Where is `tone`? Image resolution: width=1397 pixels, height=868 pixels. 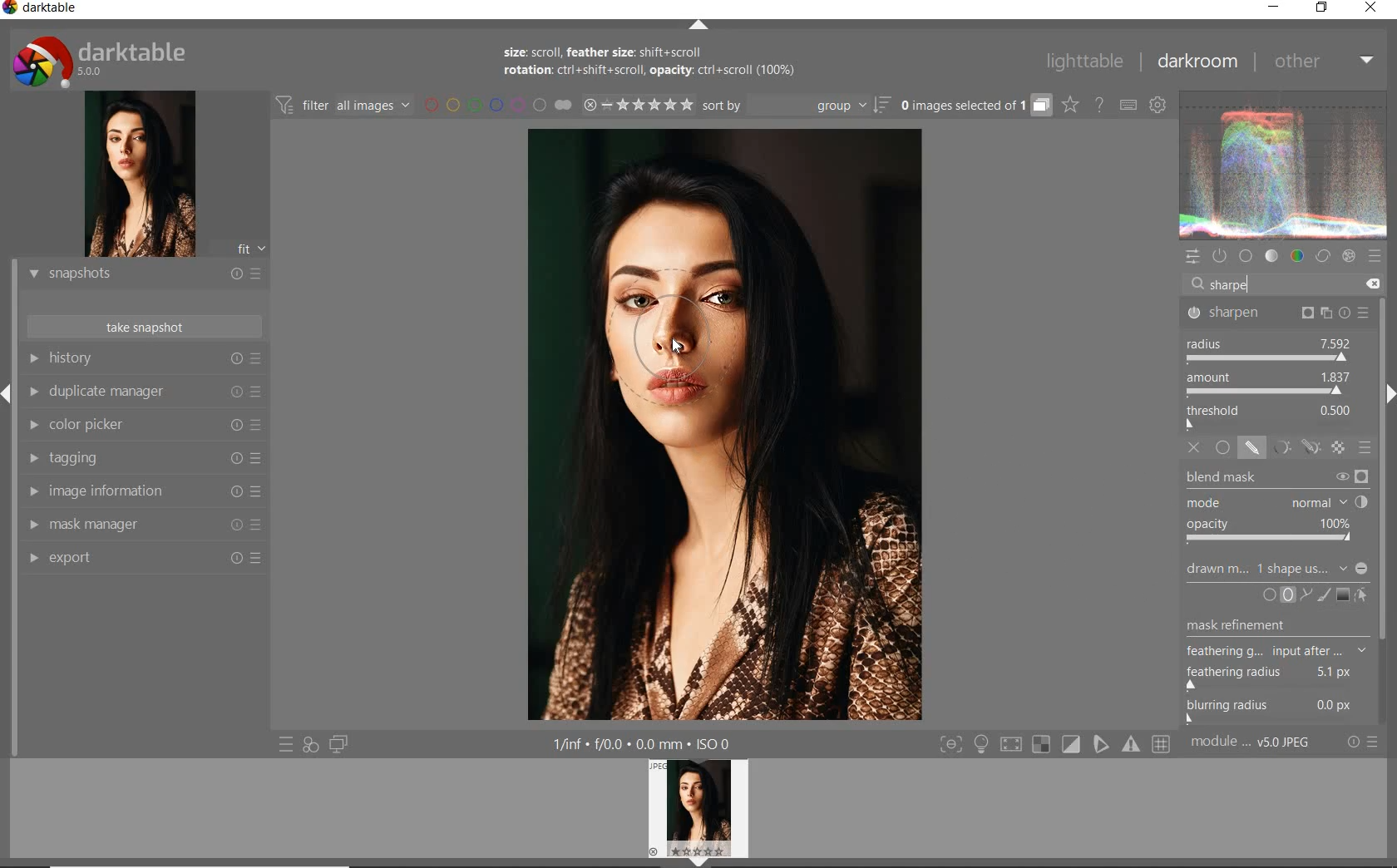
tone is located at coordinates (1271, 258).